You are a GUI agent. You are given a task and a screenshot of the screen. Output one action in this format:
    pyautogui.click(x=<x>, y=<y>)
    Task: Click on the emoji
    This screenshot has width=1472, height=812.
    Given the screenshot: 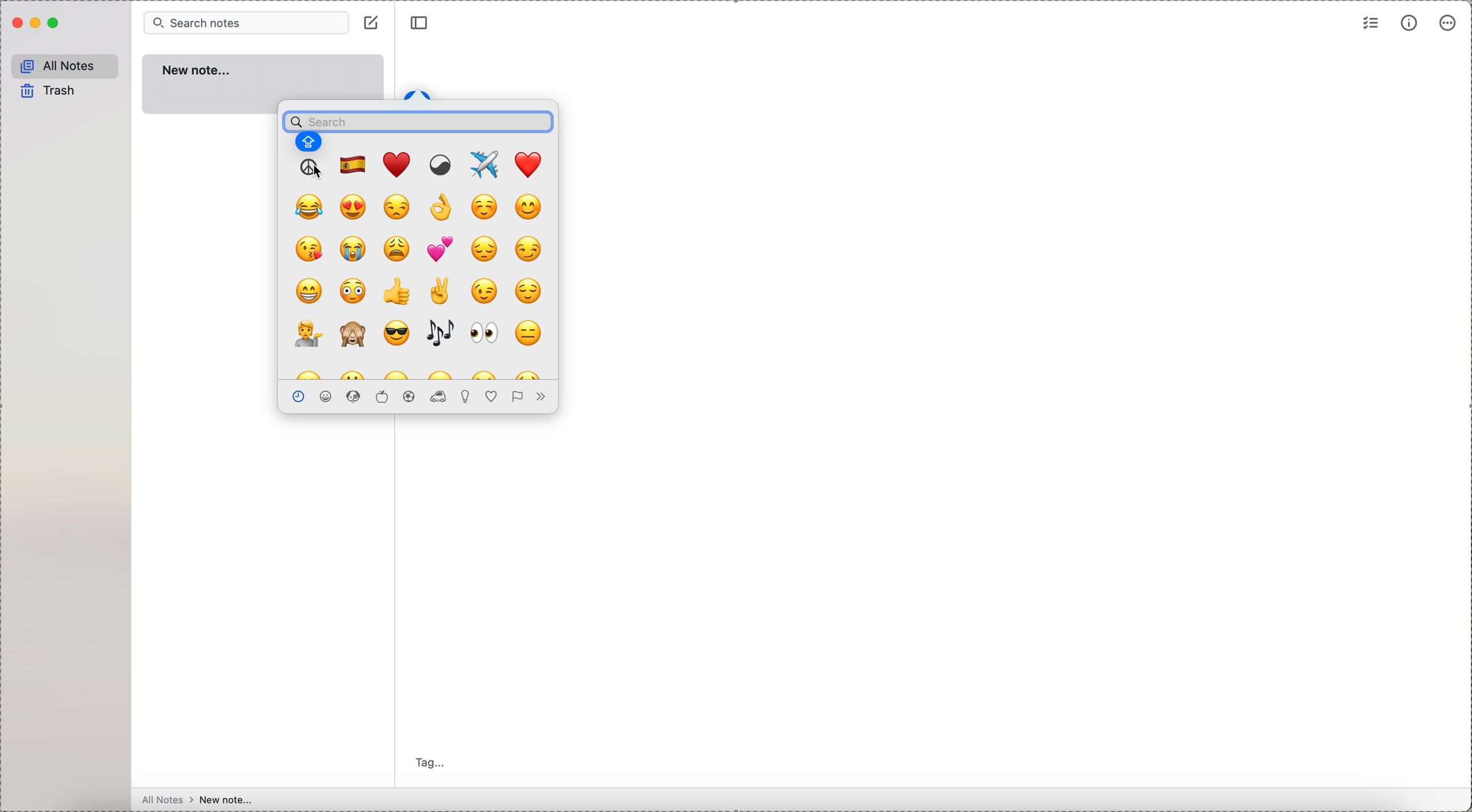 What is the action you would take?
    pyautogui.click(x=486, y=206)
    